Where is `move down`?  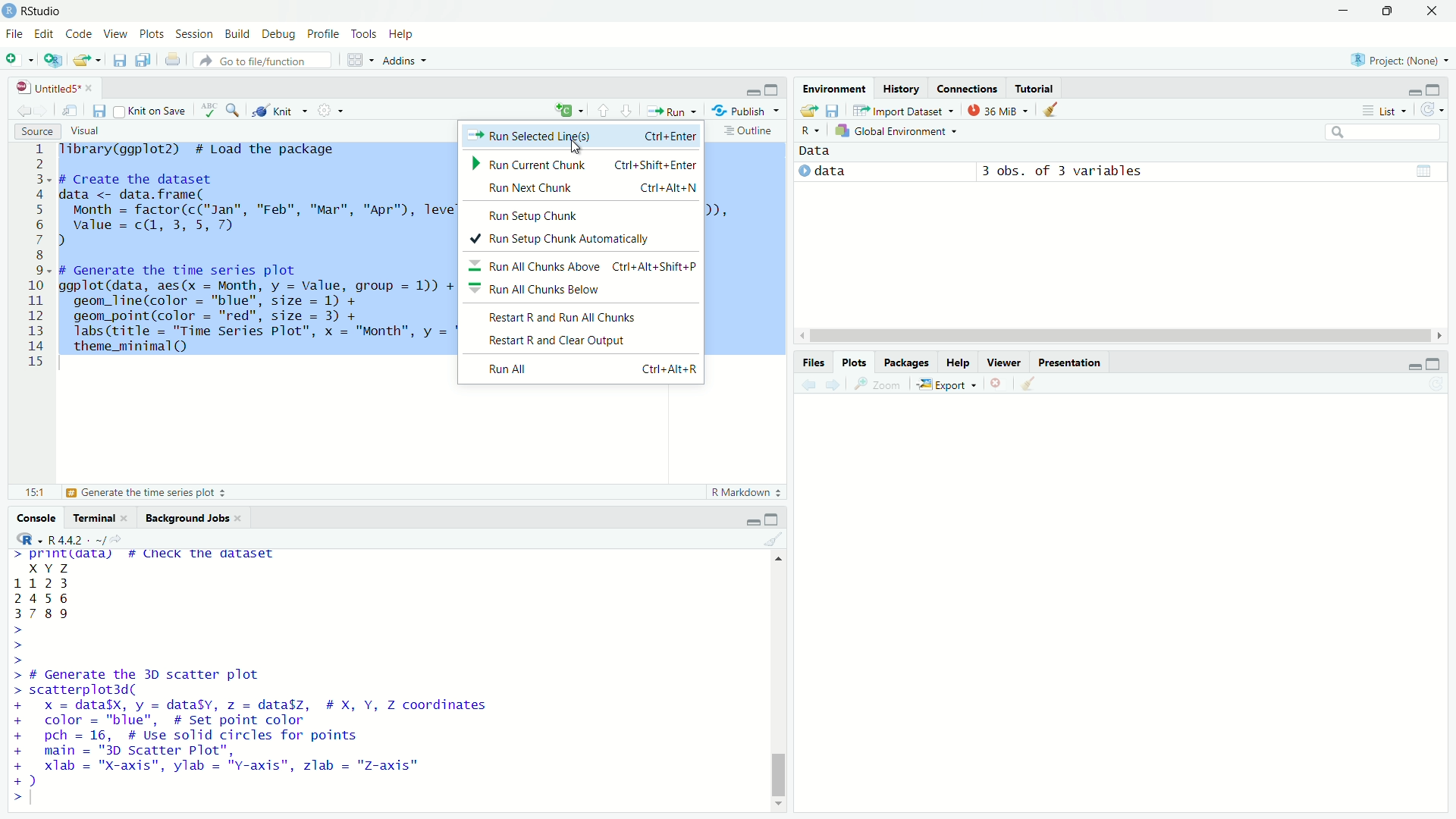 move down is located at coordinates (780, 808).